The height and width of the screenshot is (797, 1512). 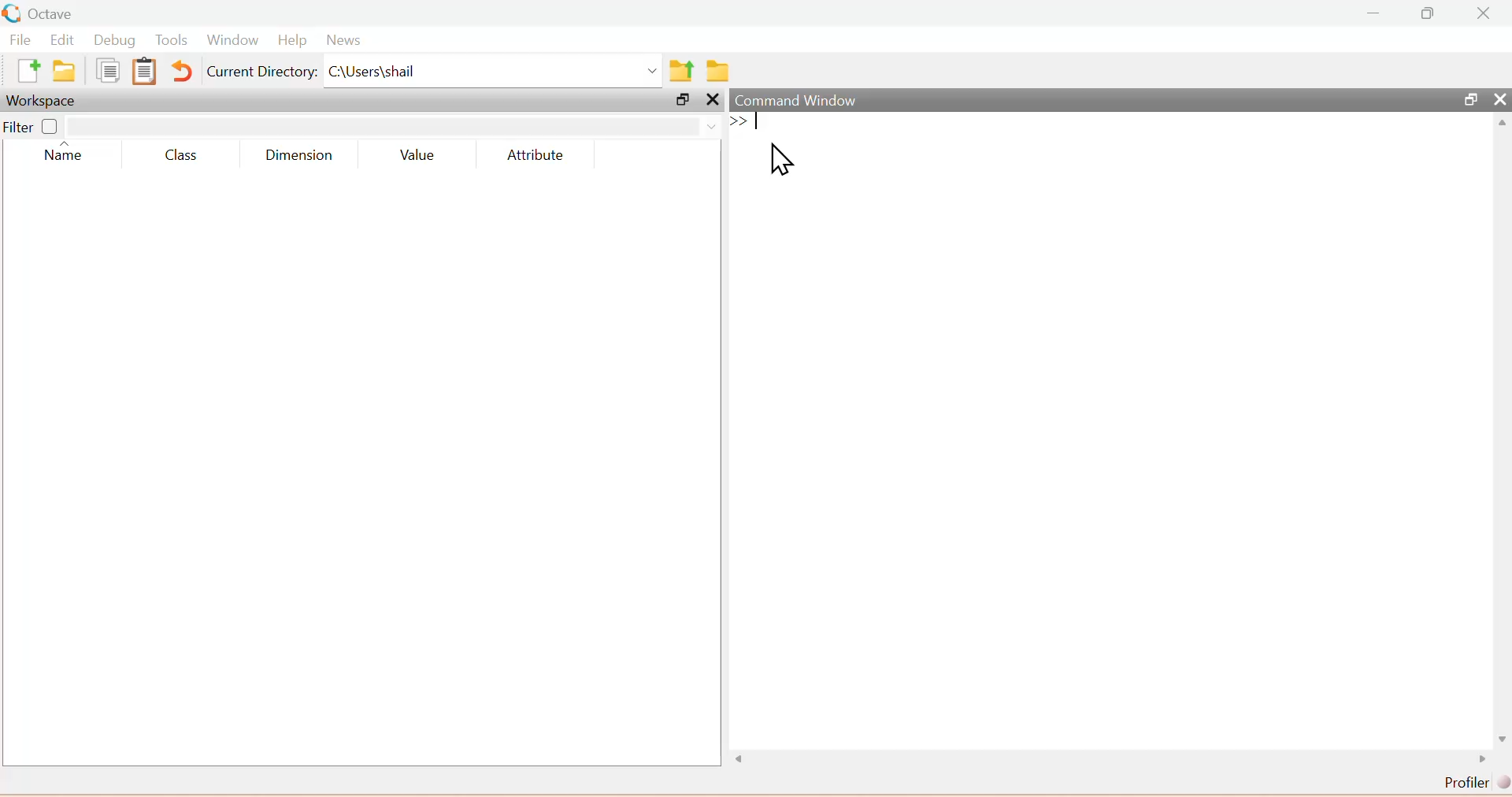 What do you see at coordinates (57, 13) in the screenshot?
I see `Octave` at bounding box center [57, 13].